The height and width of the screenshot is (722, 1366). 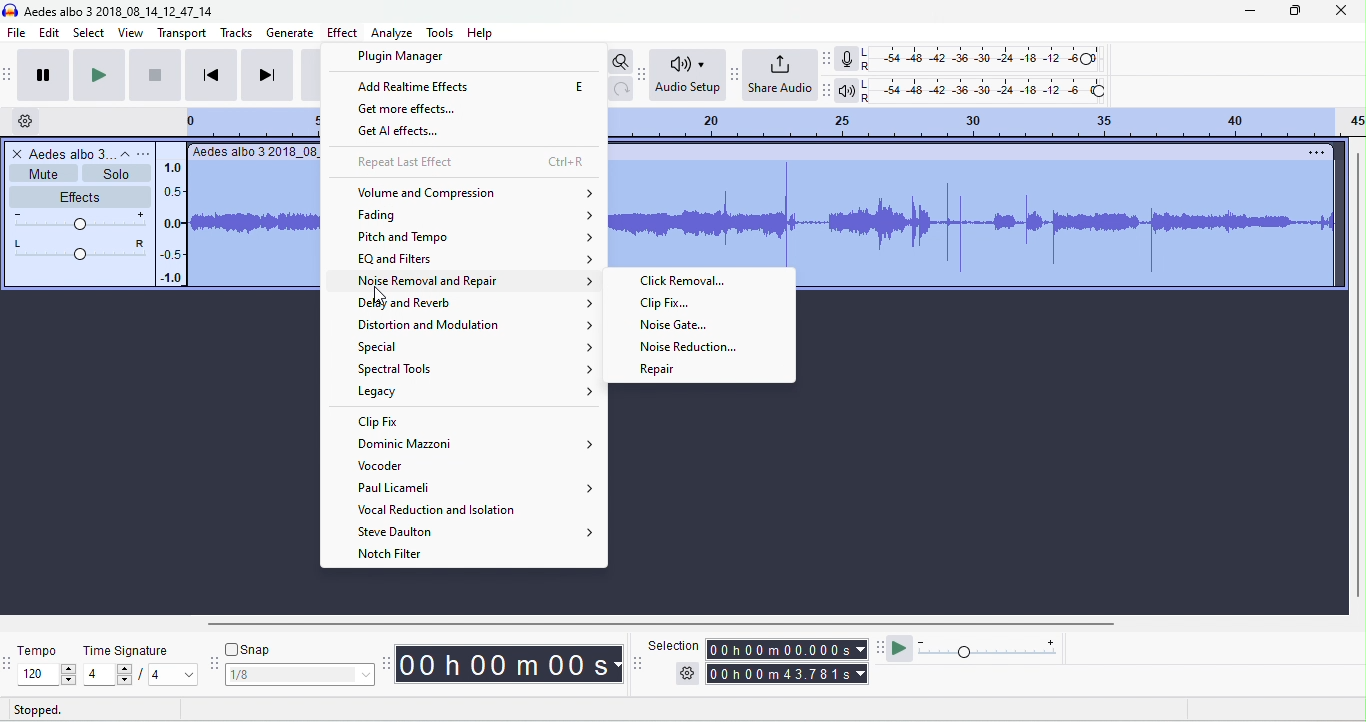 I want to click on EQ and filters, so click(x=477, y=259).